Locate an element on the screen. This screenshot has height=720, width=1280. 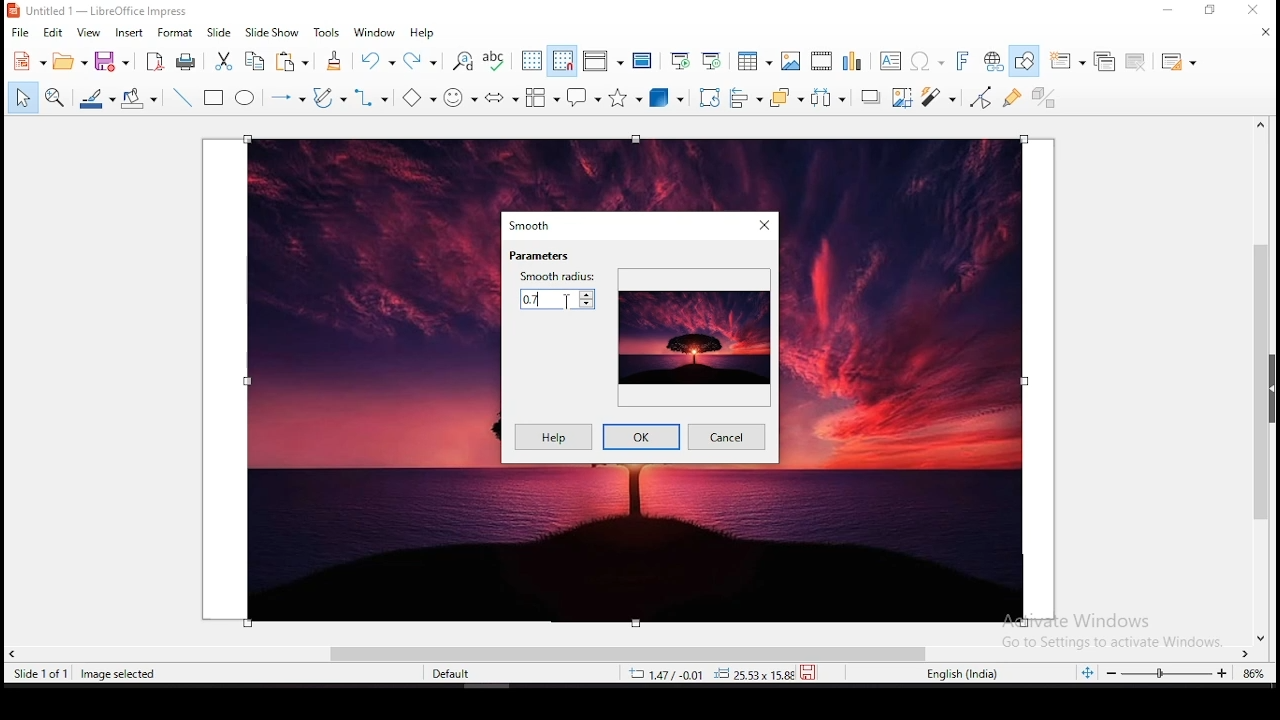
parameters is located at coordinates (540, 256).